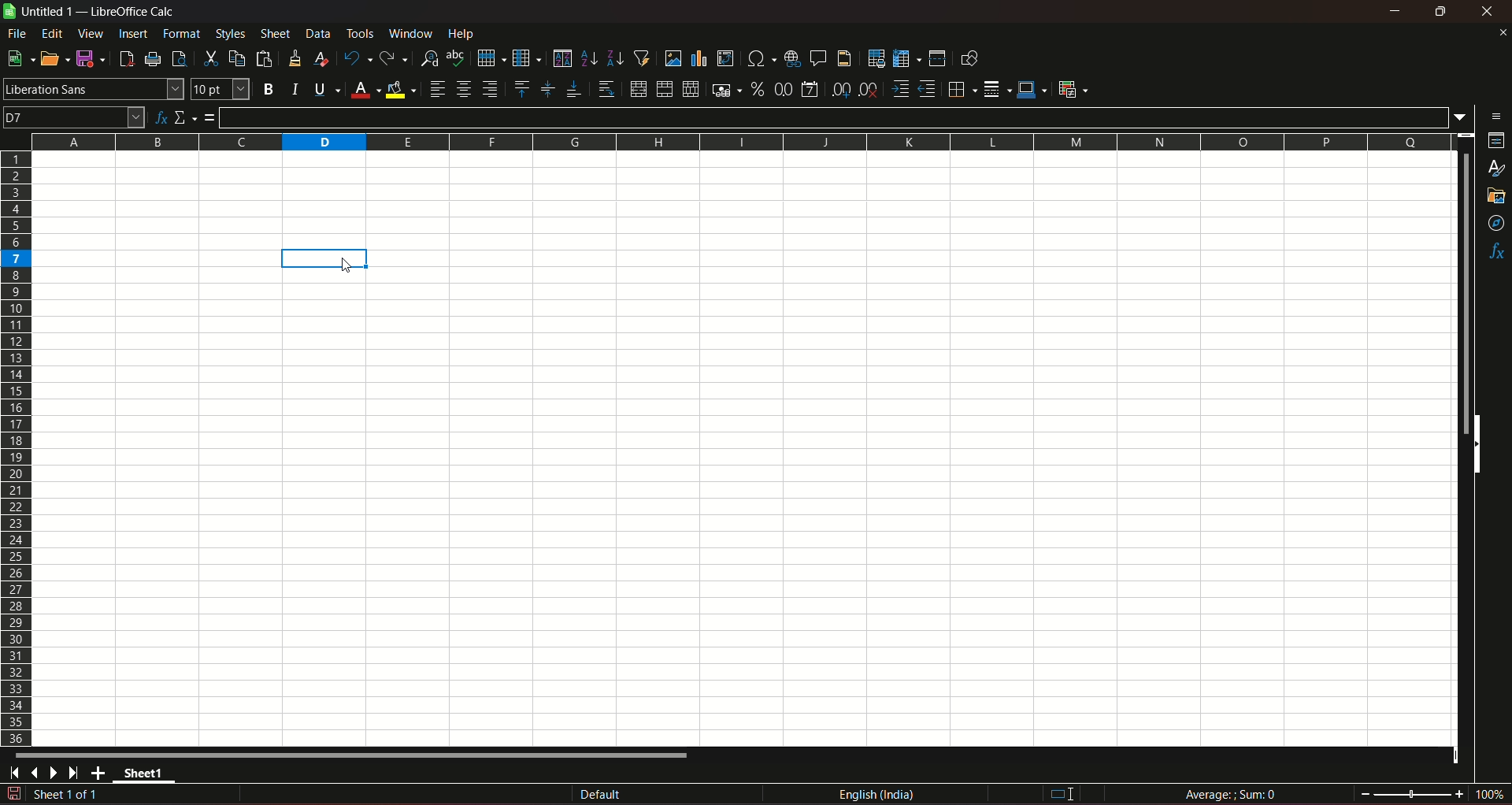  Describe the element at coordinates (1490, 11) in the screenshot. I see `close` at that location.